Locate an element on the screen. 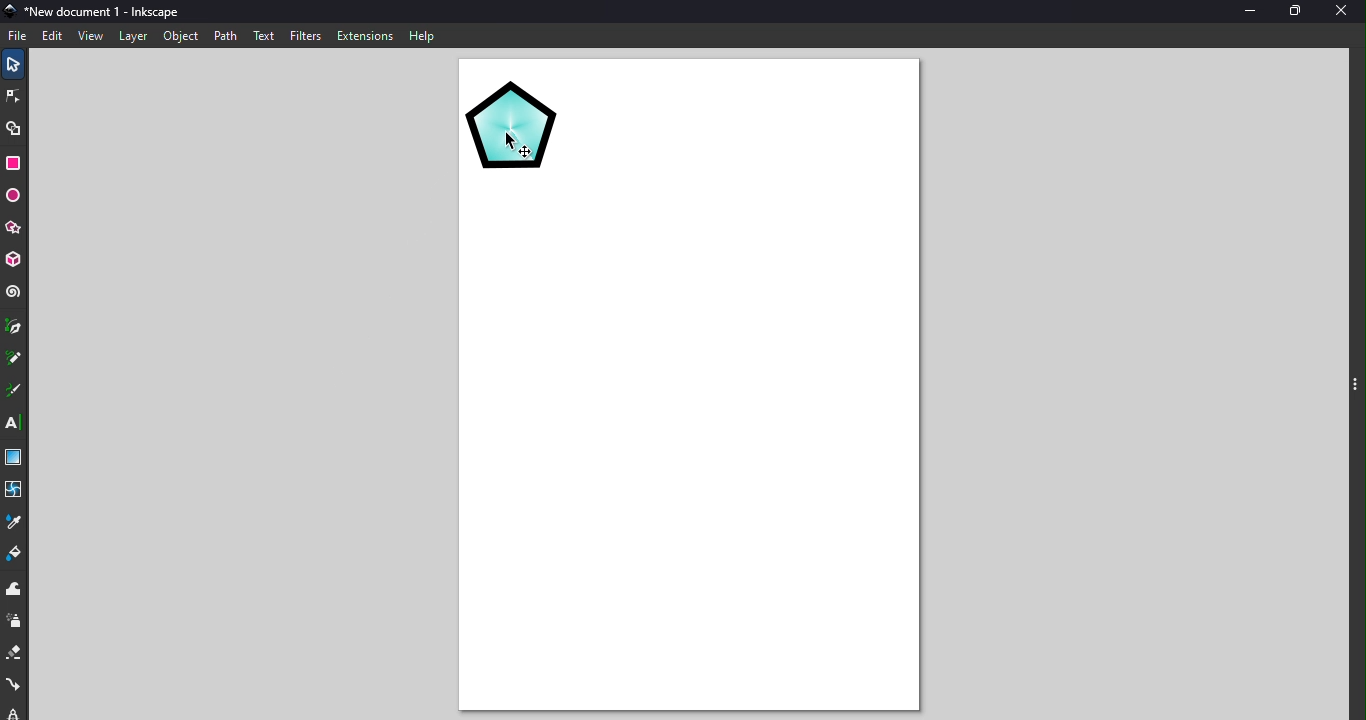  Node tool is located at coordinates (15, 93).